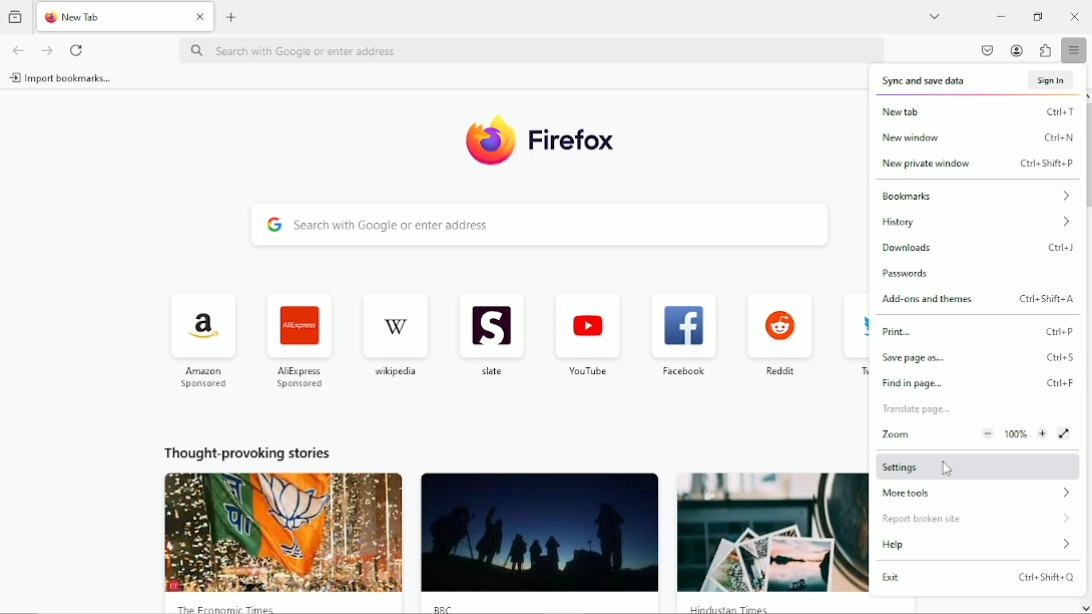  I want to click on Shortcut keys, so click(1059, 137).